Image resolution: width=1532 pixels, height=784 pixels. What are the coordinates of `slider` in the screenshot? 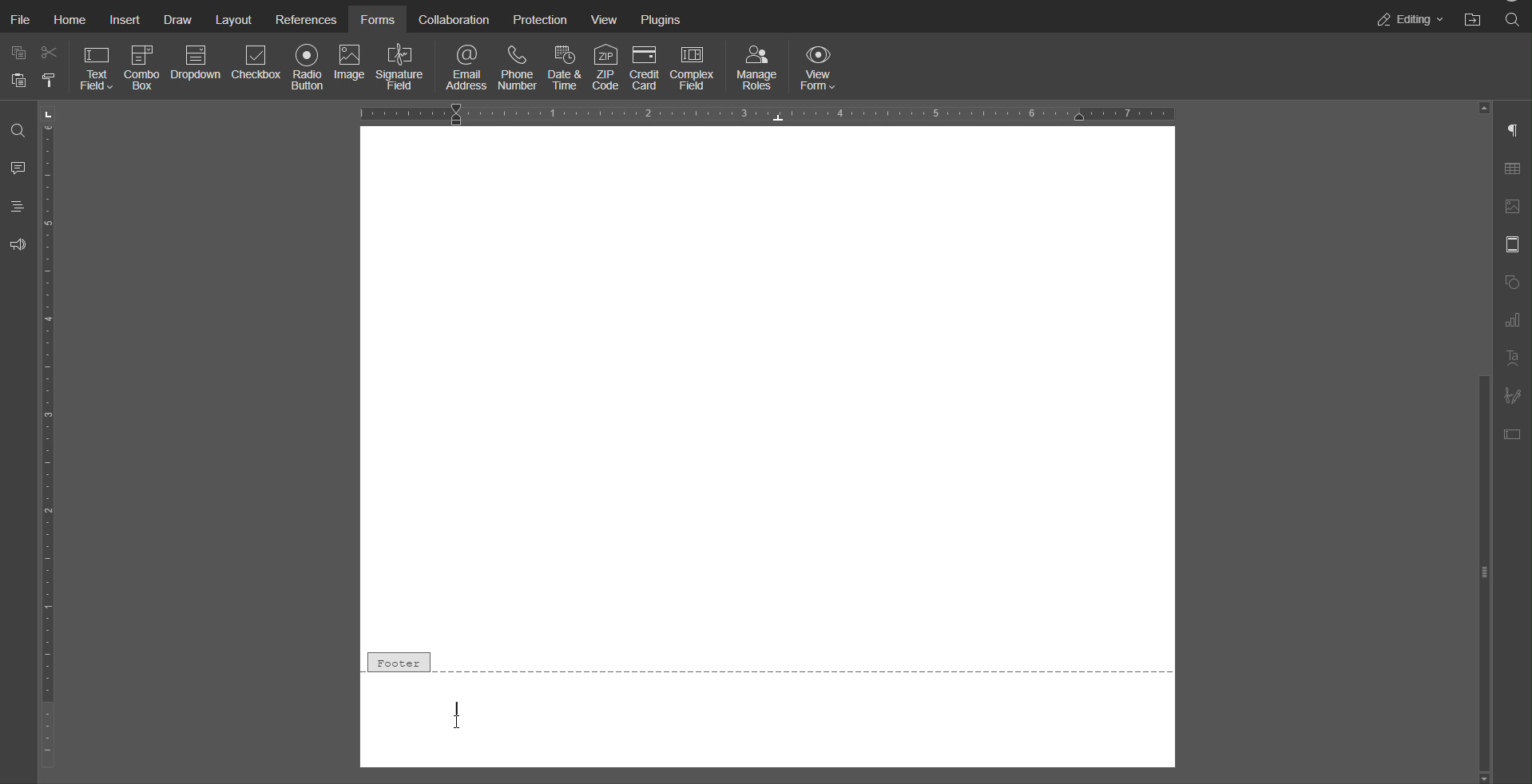 It's located at (1478, 531).